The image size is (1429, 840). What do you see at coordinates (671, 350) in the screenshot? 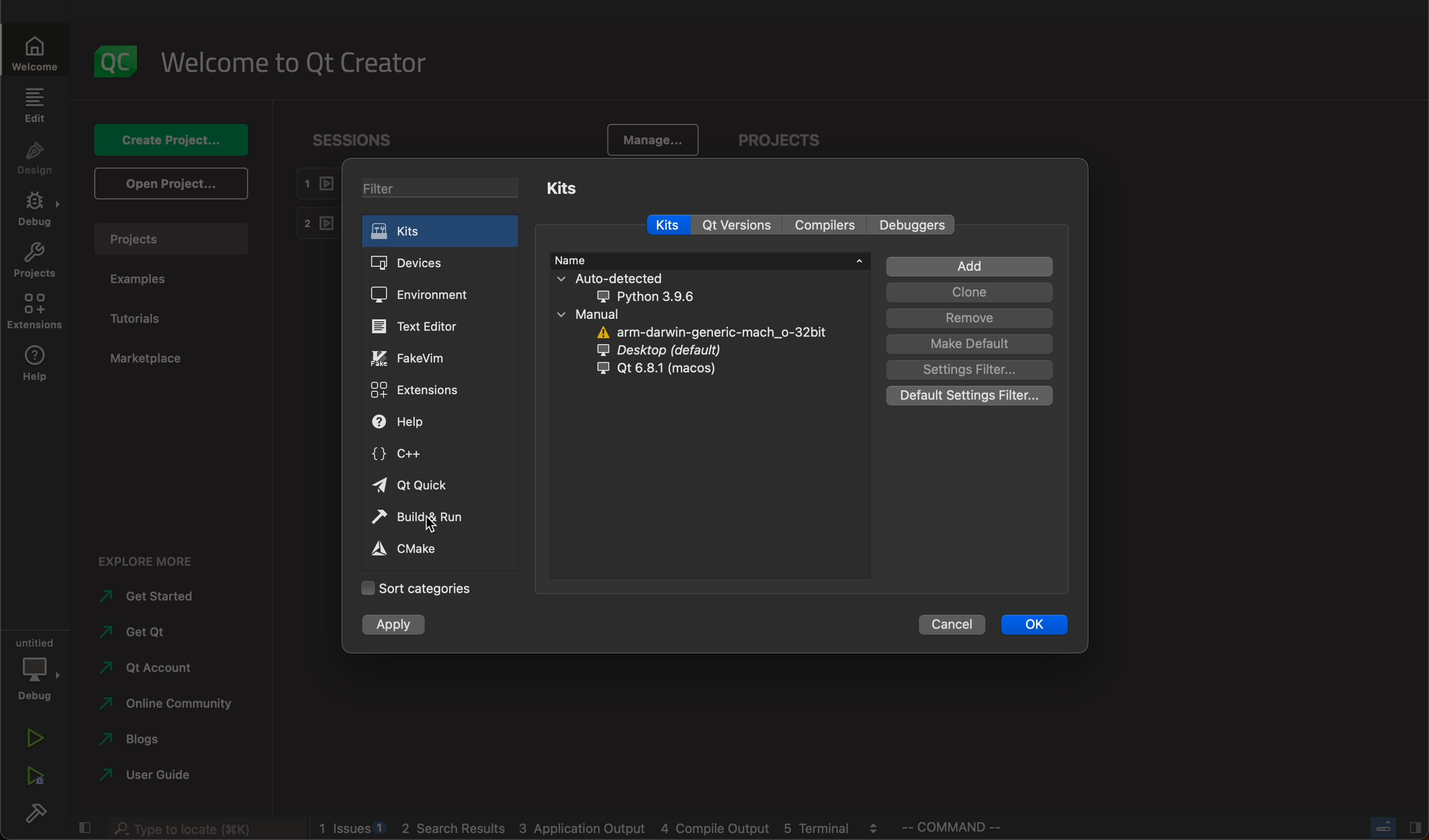
I see `desktop` at bounding box center [671, 350].